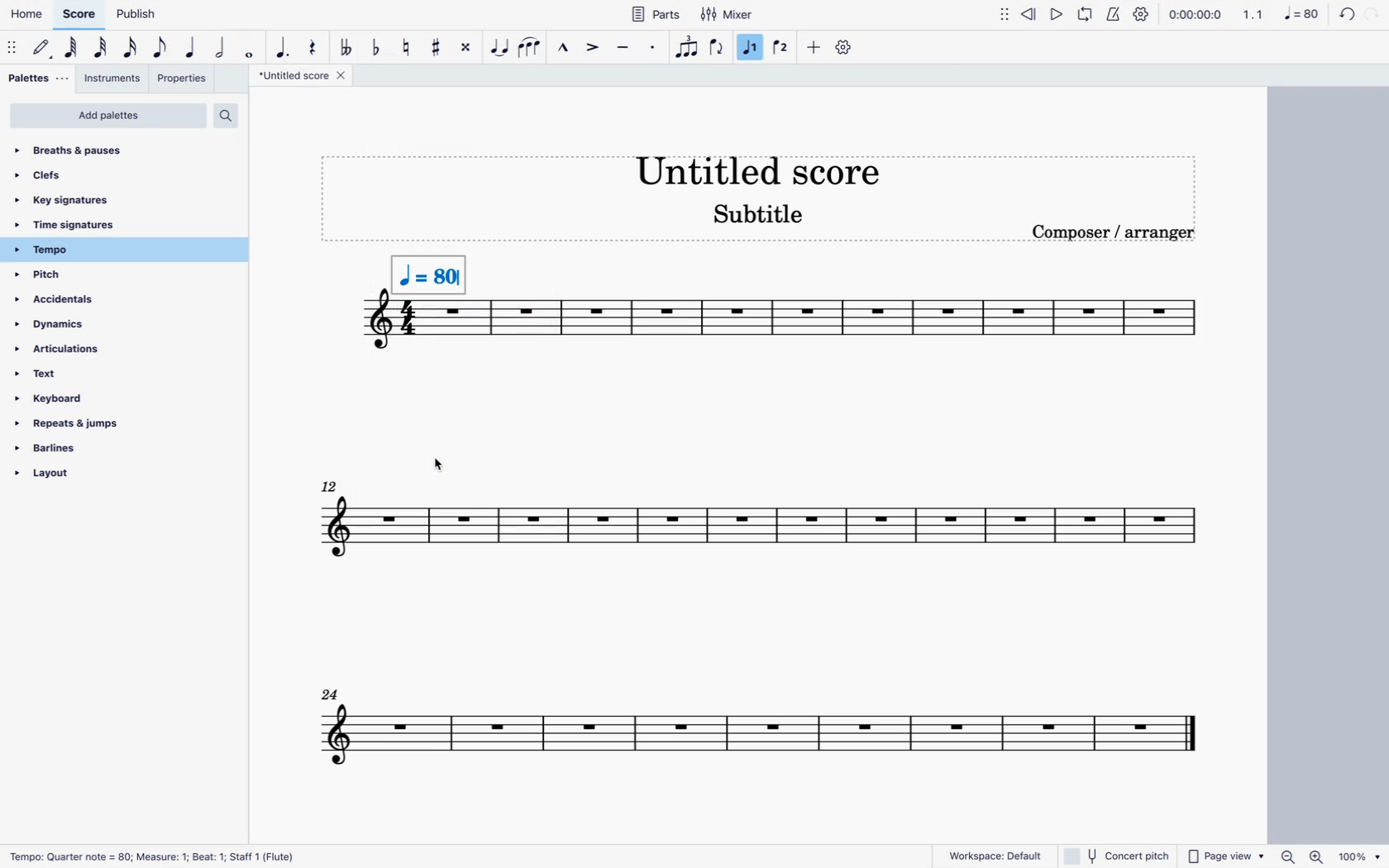 Image resolution: width=1389 pixels, height=868 pixels. What do you see at coordinates (191, 48) in the screenshot?
I see `quarter note` at bounding box center [191, 48].